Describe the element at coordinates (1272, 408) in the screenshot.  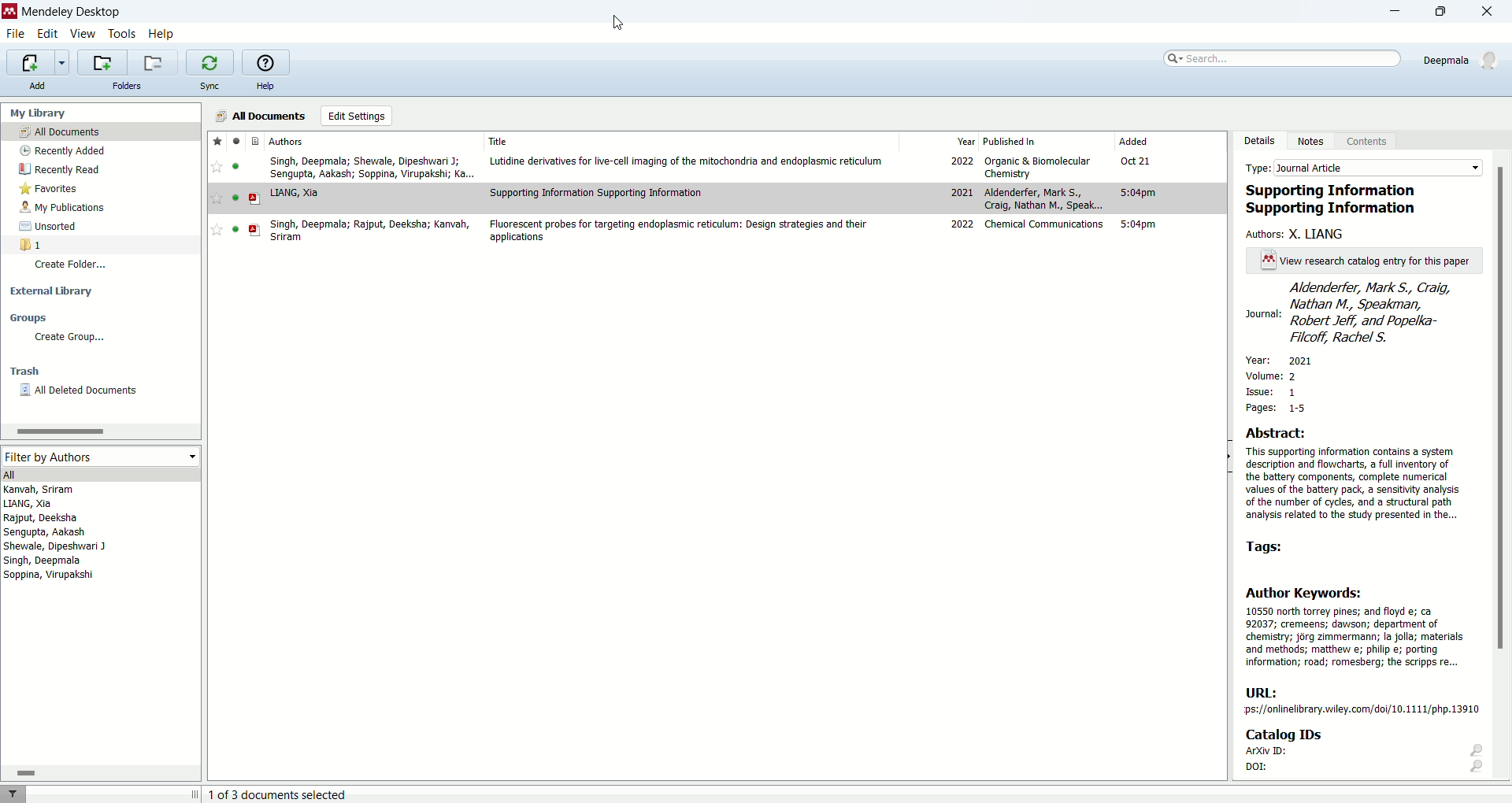
I see `pages: 1-5` at that location.